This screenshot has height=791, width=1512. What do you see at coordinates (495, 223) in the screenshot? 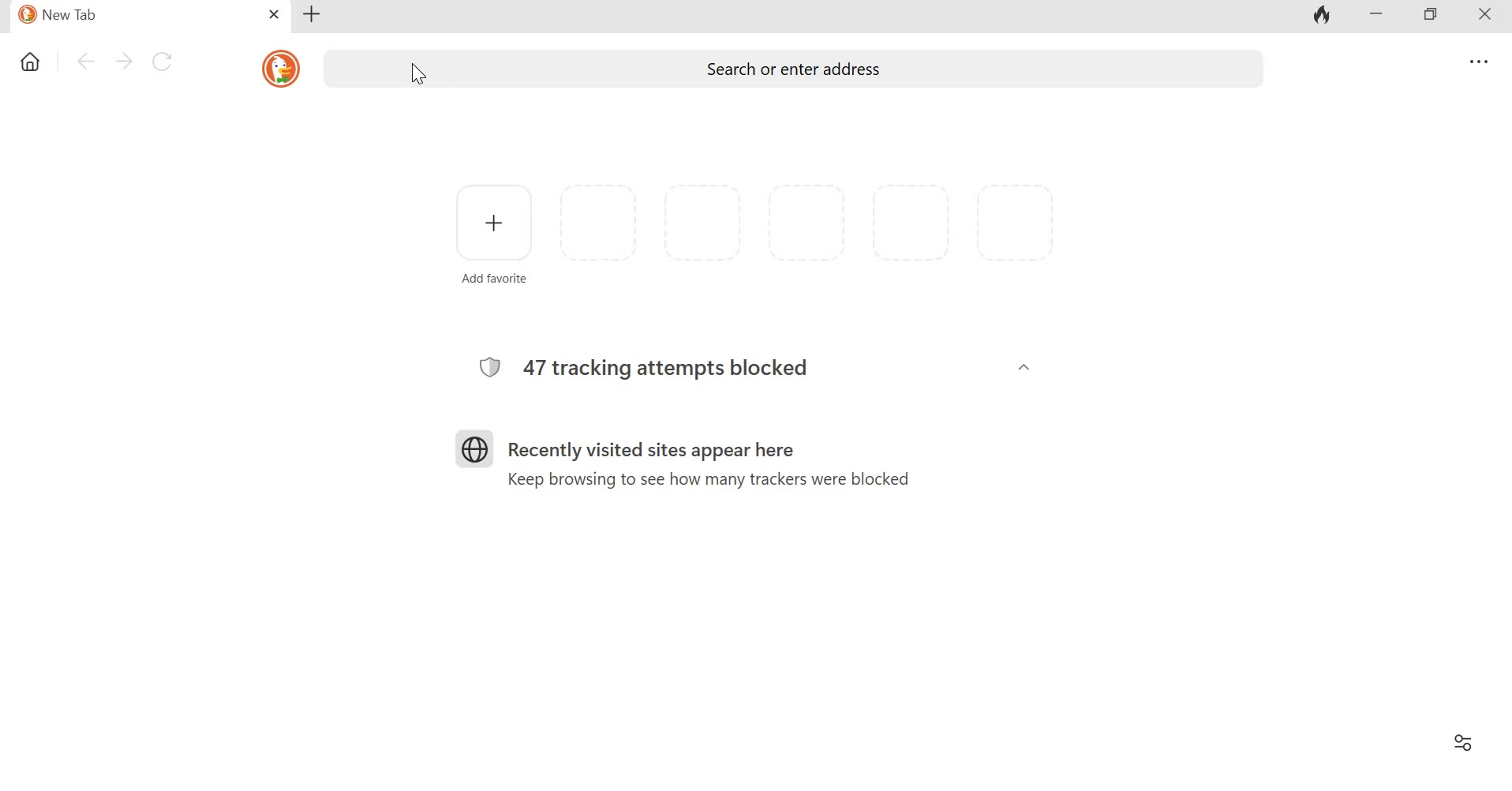
I see `Add favorite` at bounding box center [495, 223].